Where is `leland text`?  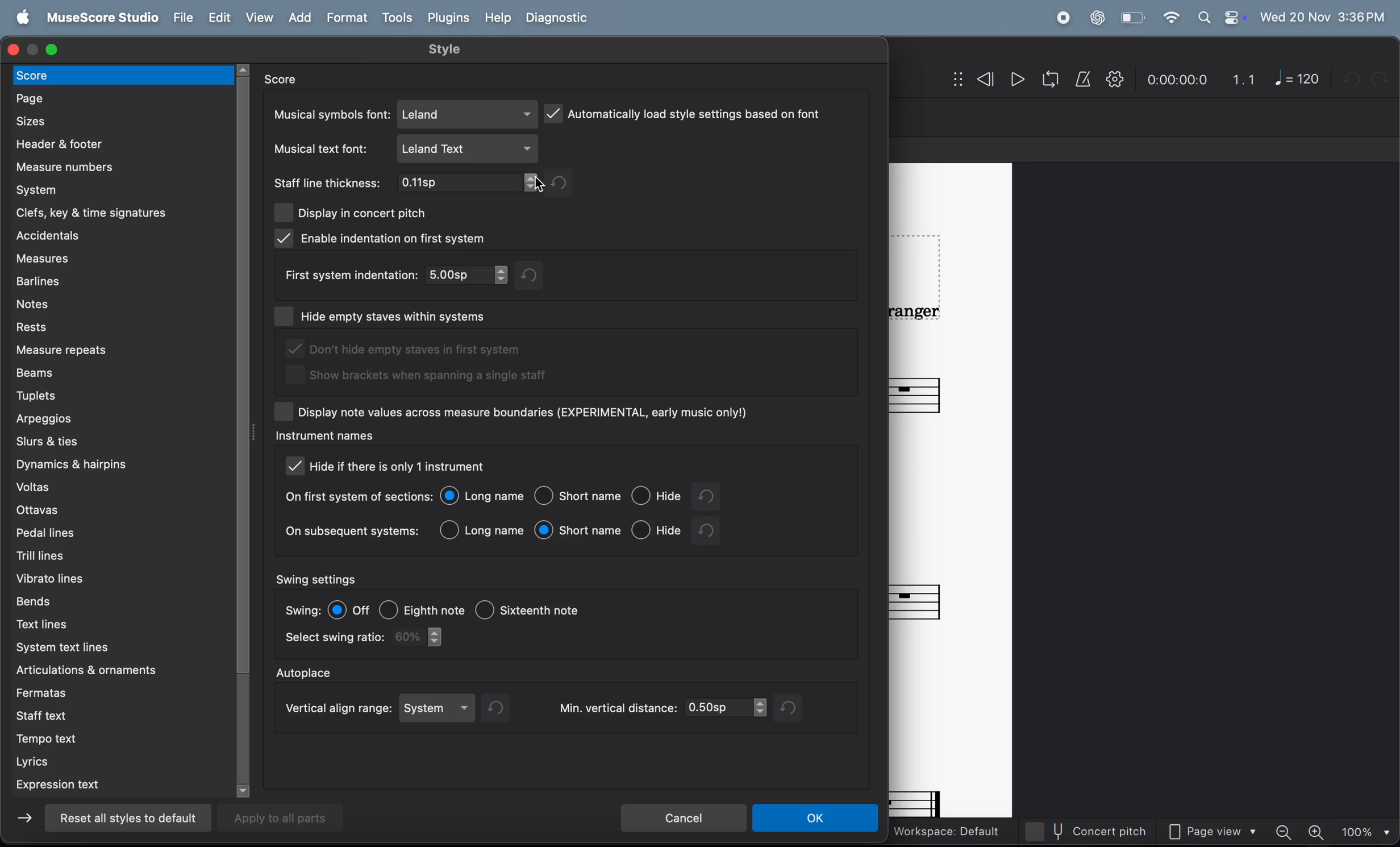 leland text is located at coordinates (469, 149).